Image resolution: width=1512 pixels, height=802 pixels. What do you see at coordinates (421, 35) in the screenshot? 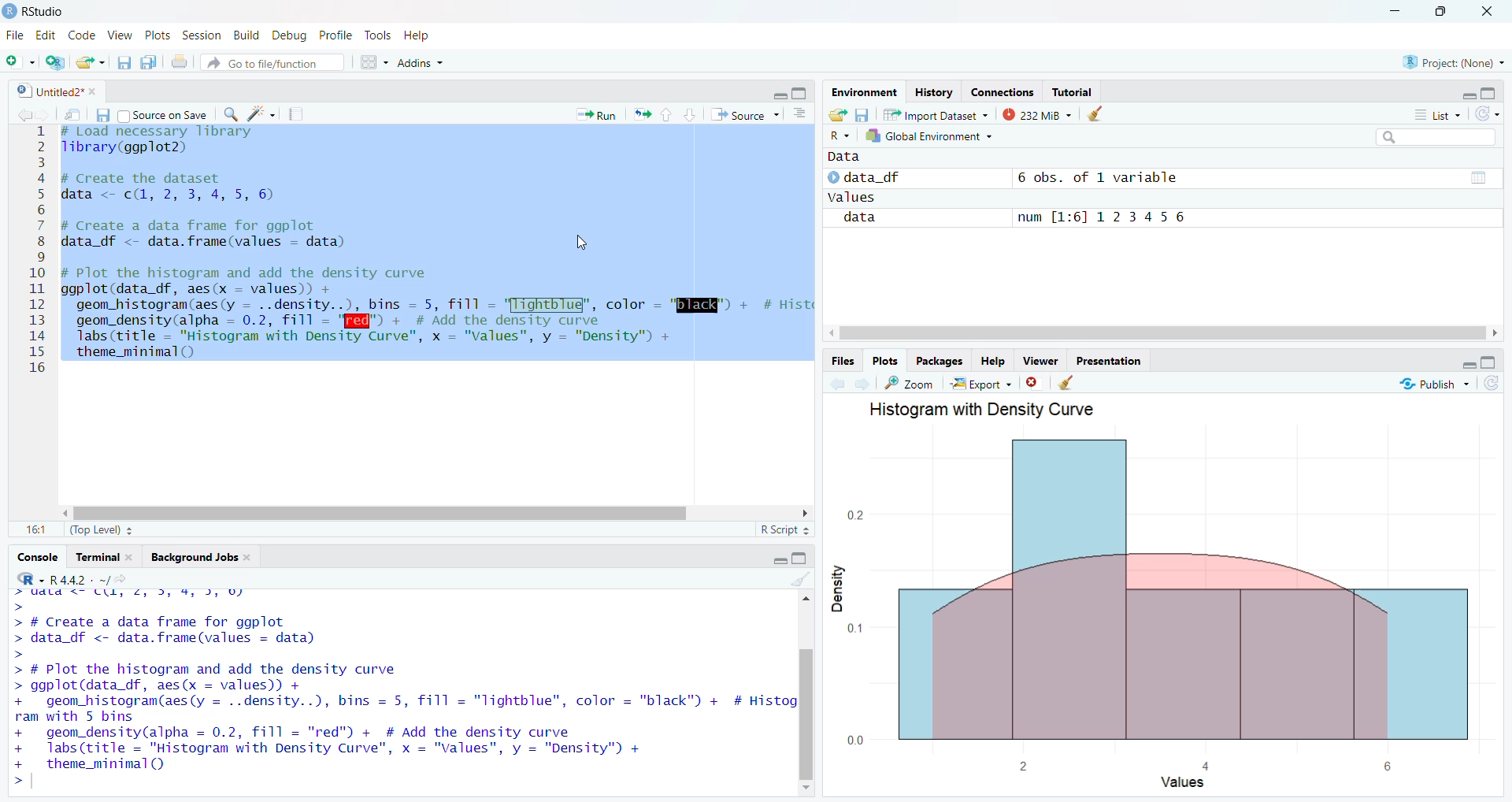
I see `Help` at bounding box center [421, 35].